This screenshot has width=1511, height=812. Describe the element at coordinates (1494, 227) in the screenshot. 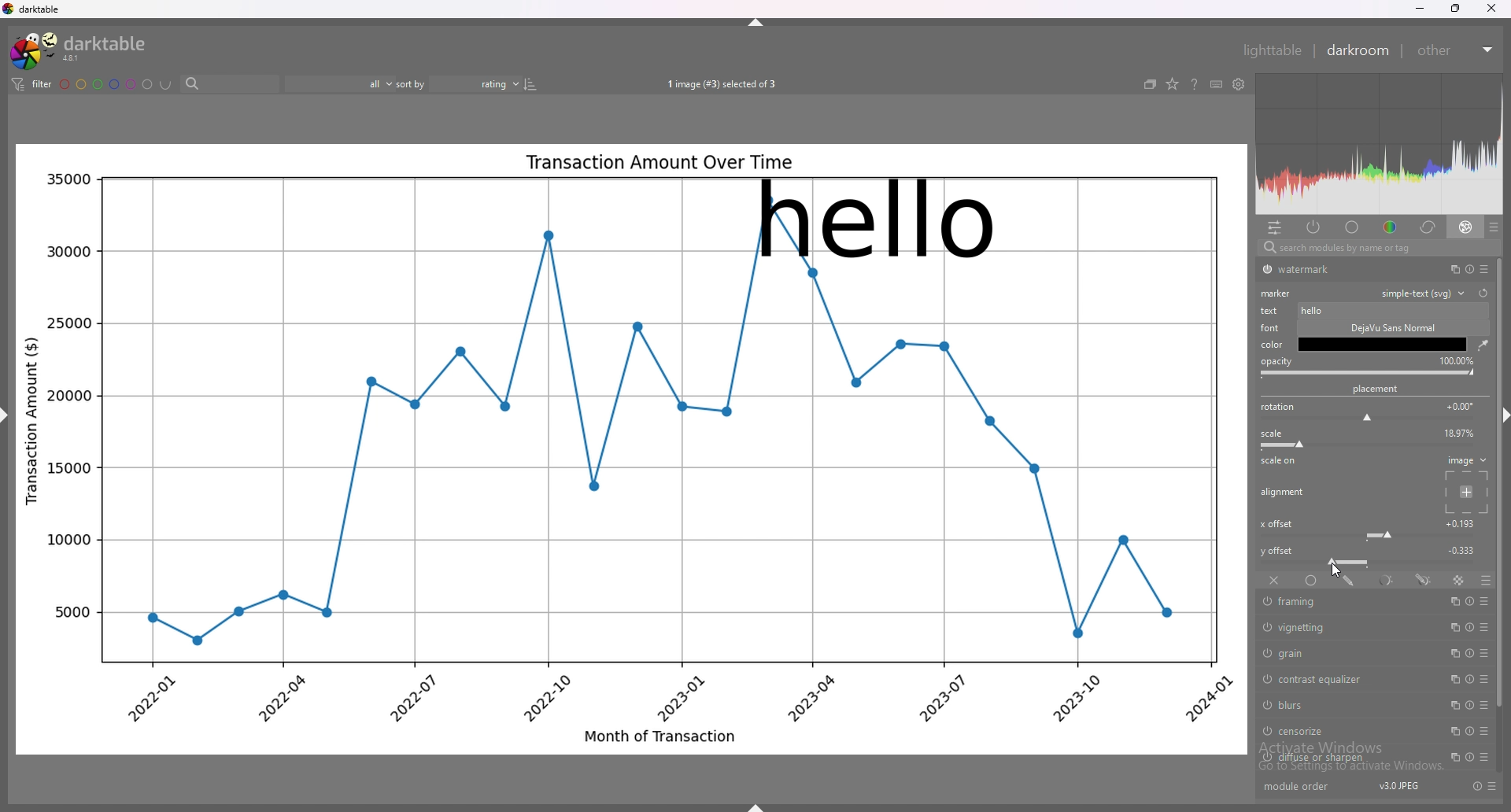

I see `presets` at that location.